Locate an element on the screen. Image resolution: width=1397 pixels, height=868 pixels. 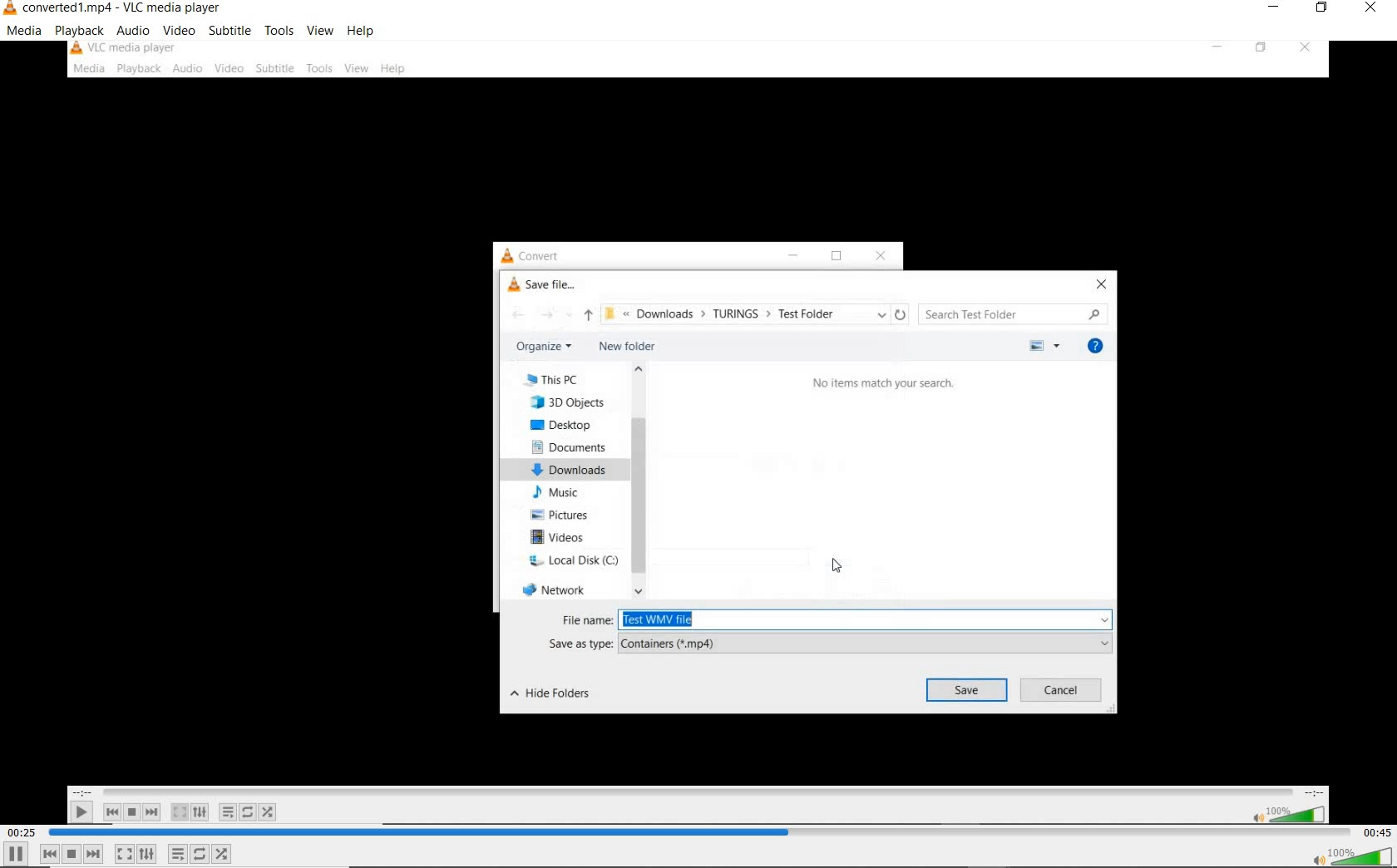
volume button is located at coordinates (1352, 856).